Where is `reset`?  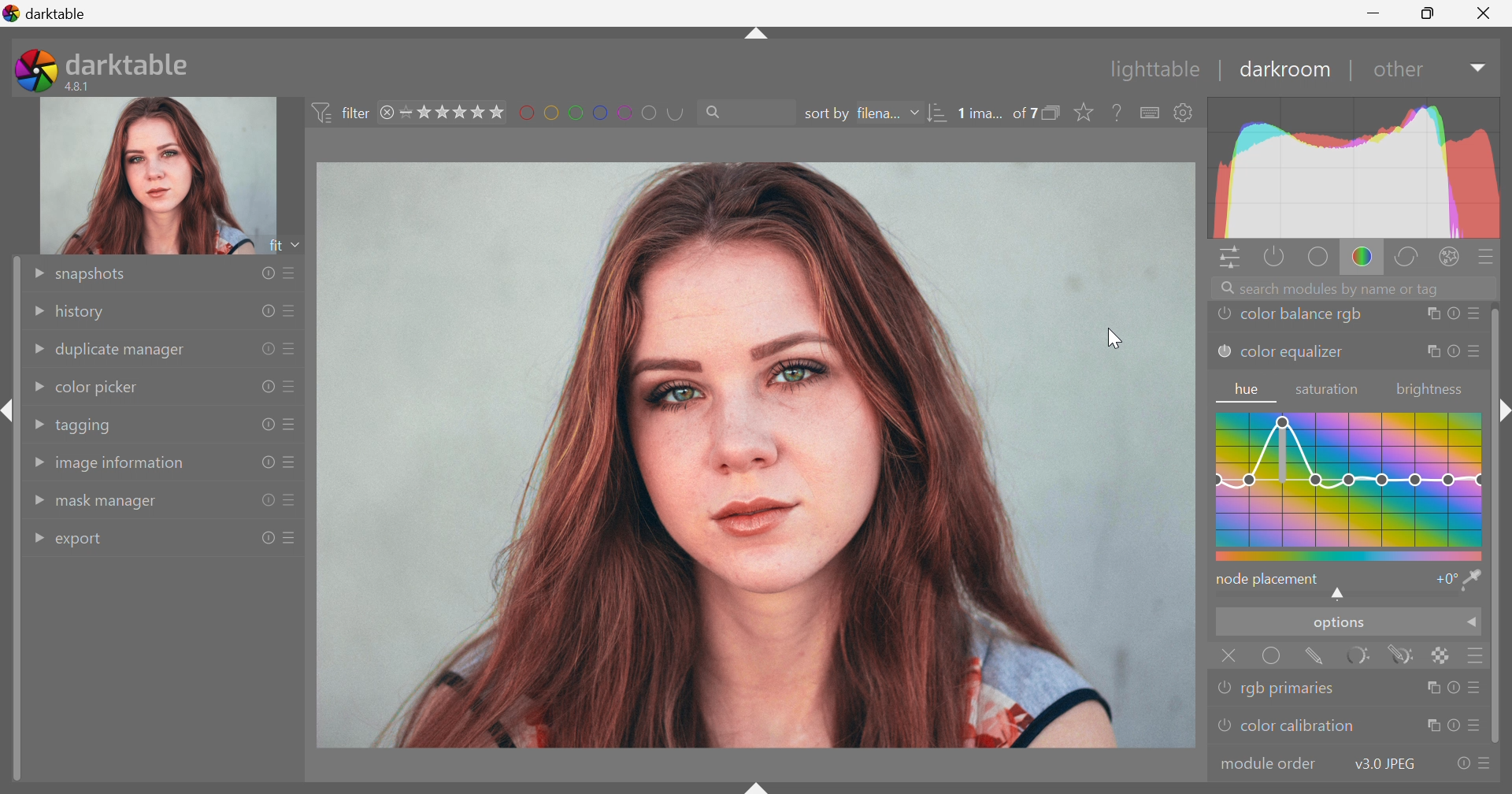 reset is located at coordinates (1454, 687).